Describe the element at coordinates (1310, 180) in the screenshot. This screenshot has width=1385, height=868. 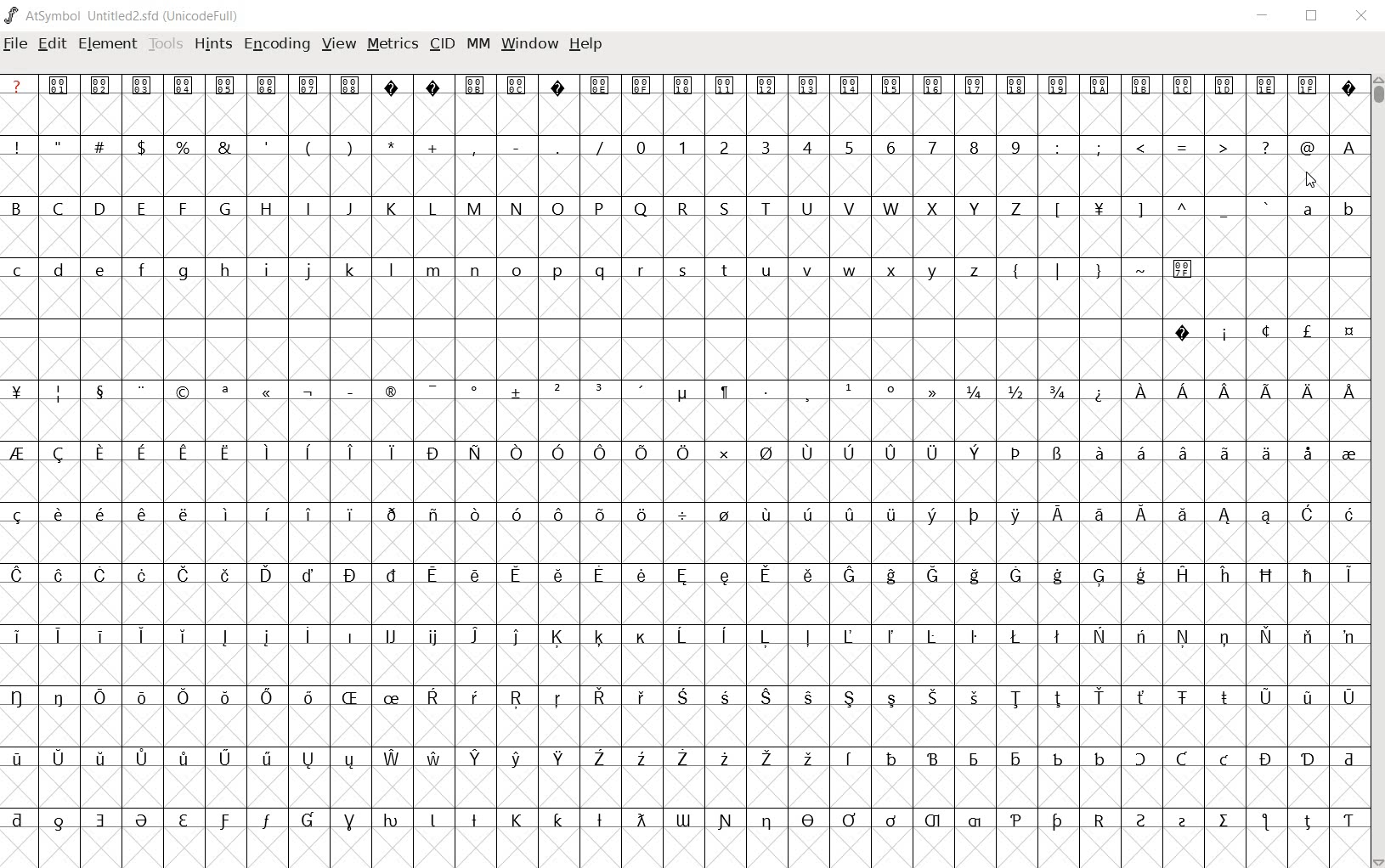
I see `cursor` at that location.